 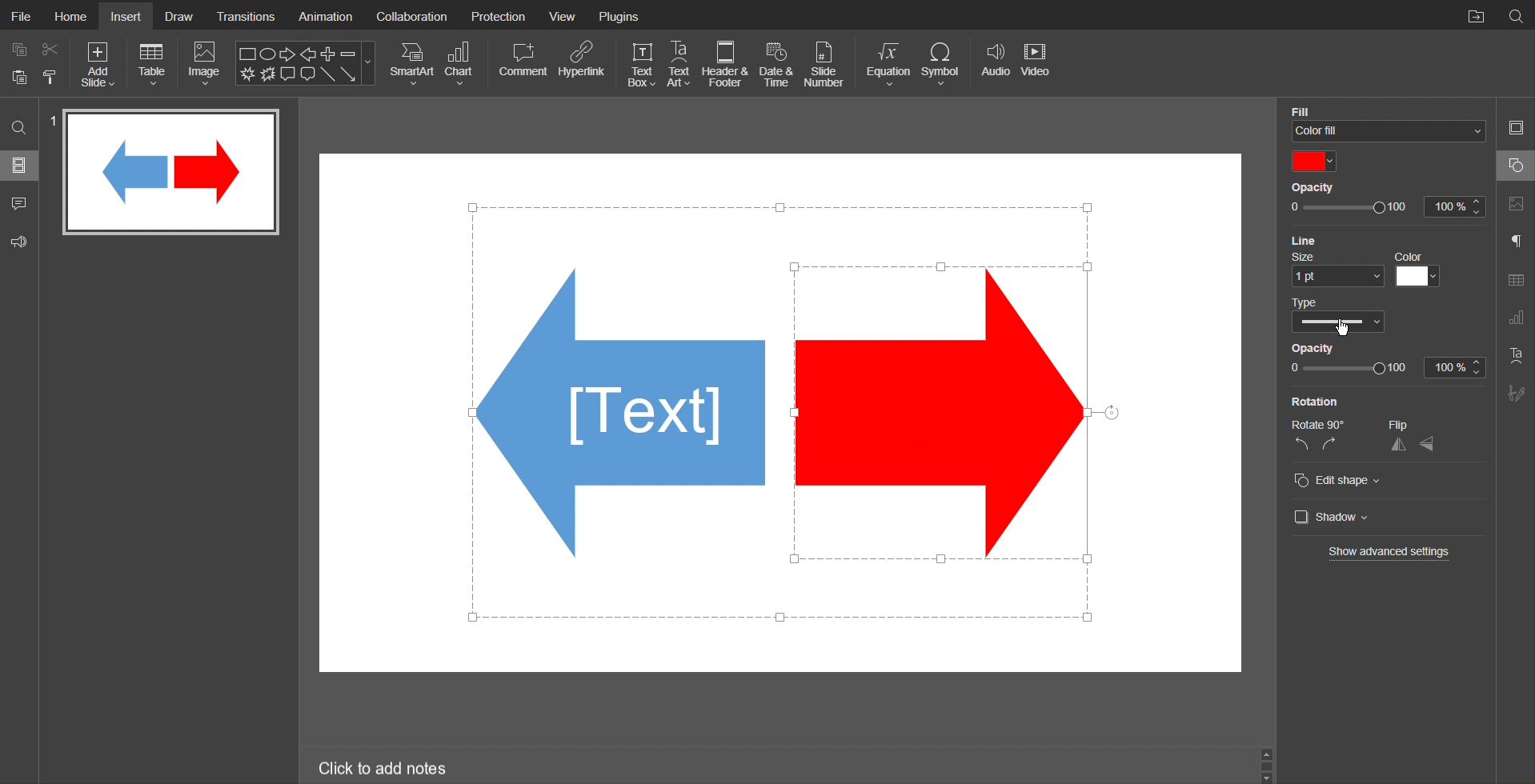 What do you see at coordinates (941, 63) in the screenshot?
I see `Symbol` at bounding box center [941, 63].